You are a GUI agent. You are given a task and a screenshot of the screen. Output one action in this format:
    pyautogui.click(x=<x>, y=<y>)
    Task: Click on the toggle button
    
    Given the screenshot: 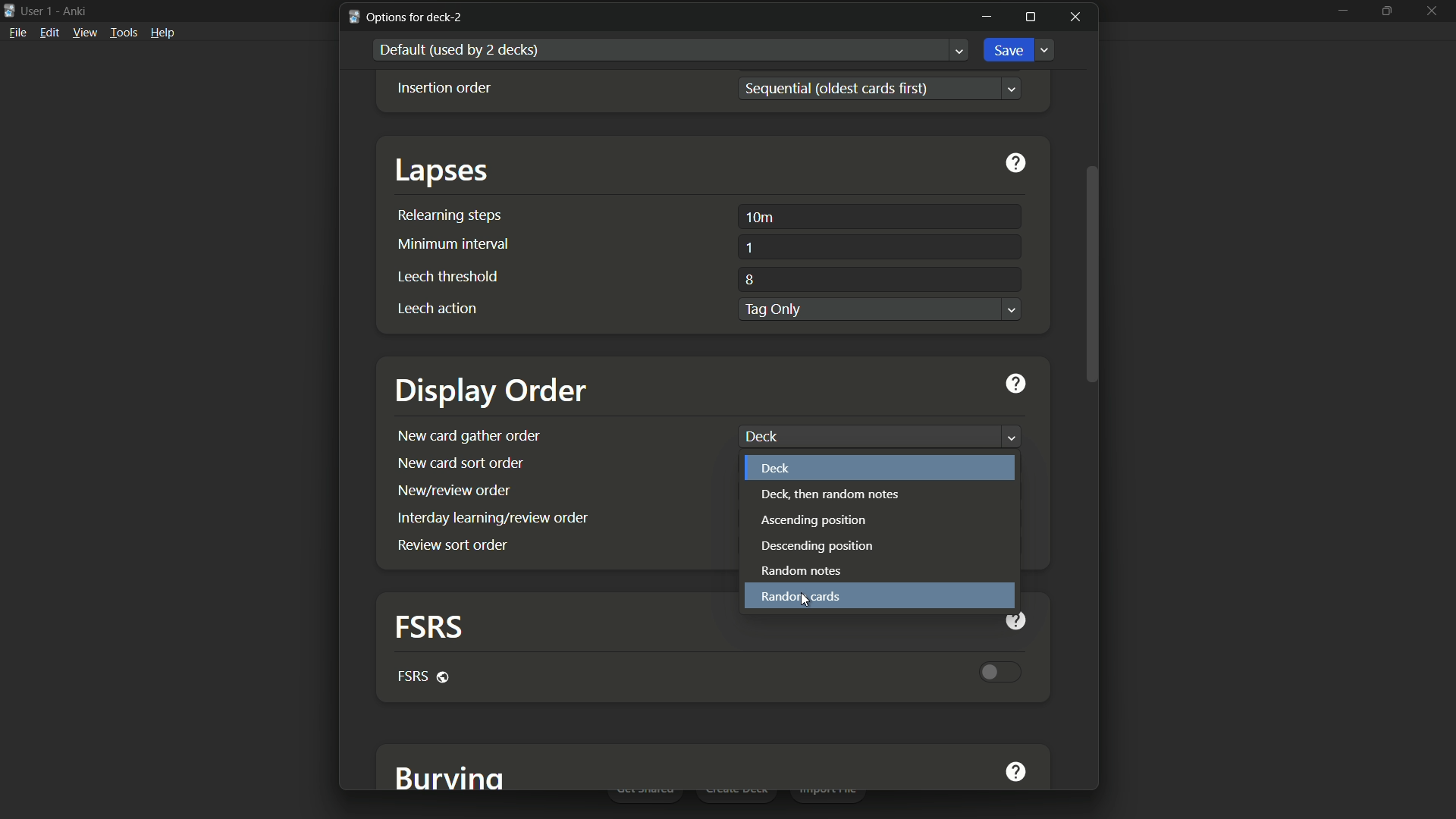 What is the action you would take?
    pyautogui.click(x=1003, y=671)
    